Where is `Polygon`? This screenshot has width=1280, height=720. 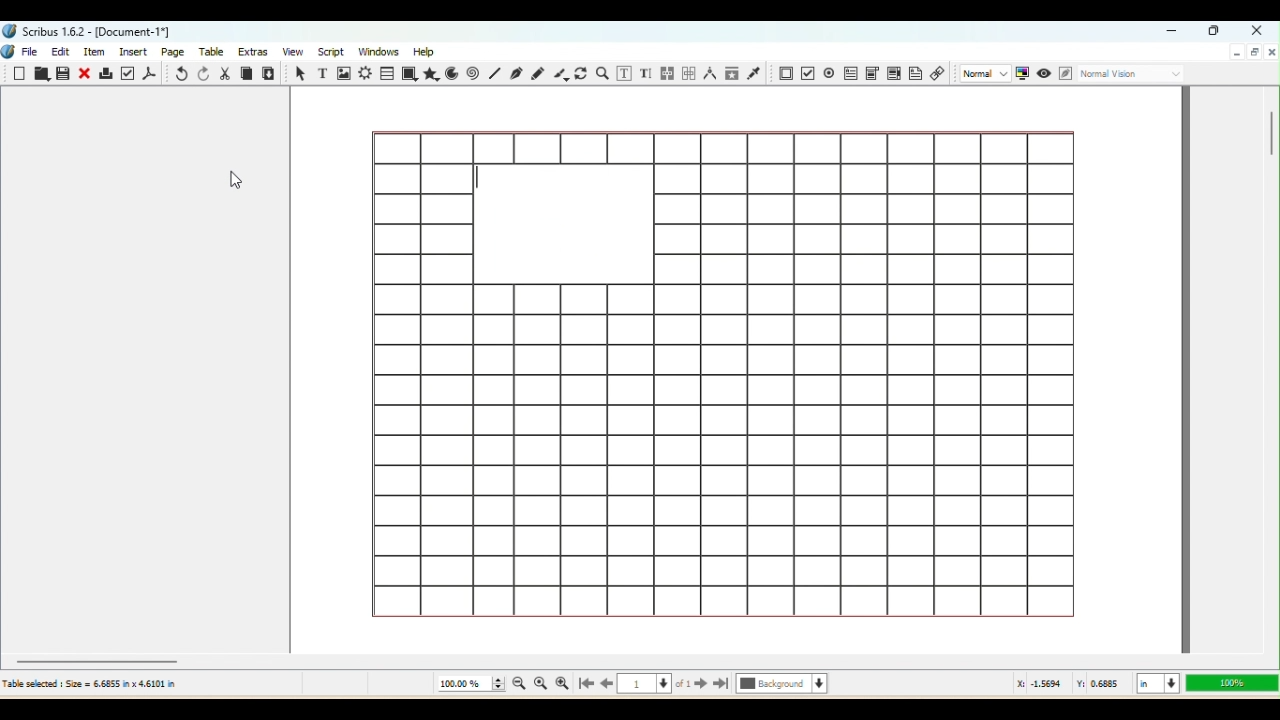 Polygon is located at coordinates (432, 75).